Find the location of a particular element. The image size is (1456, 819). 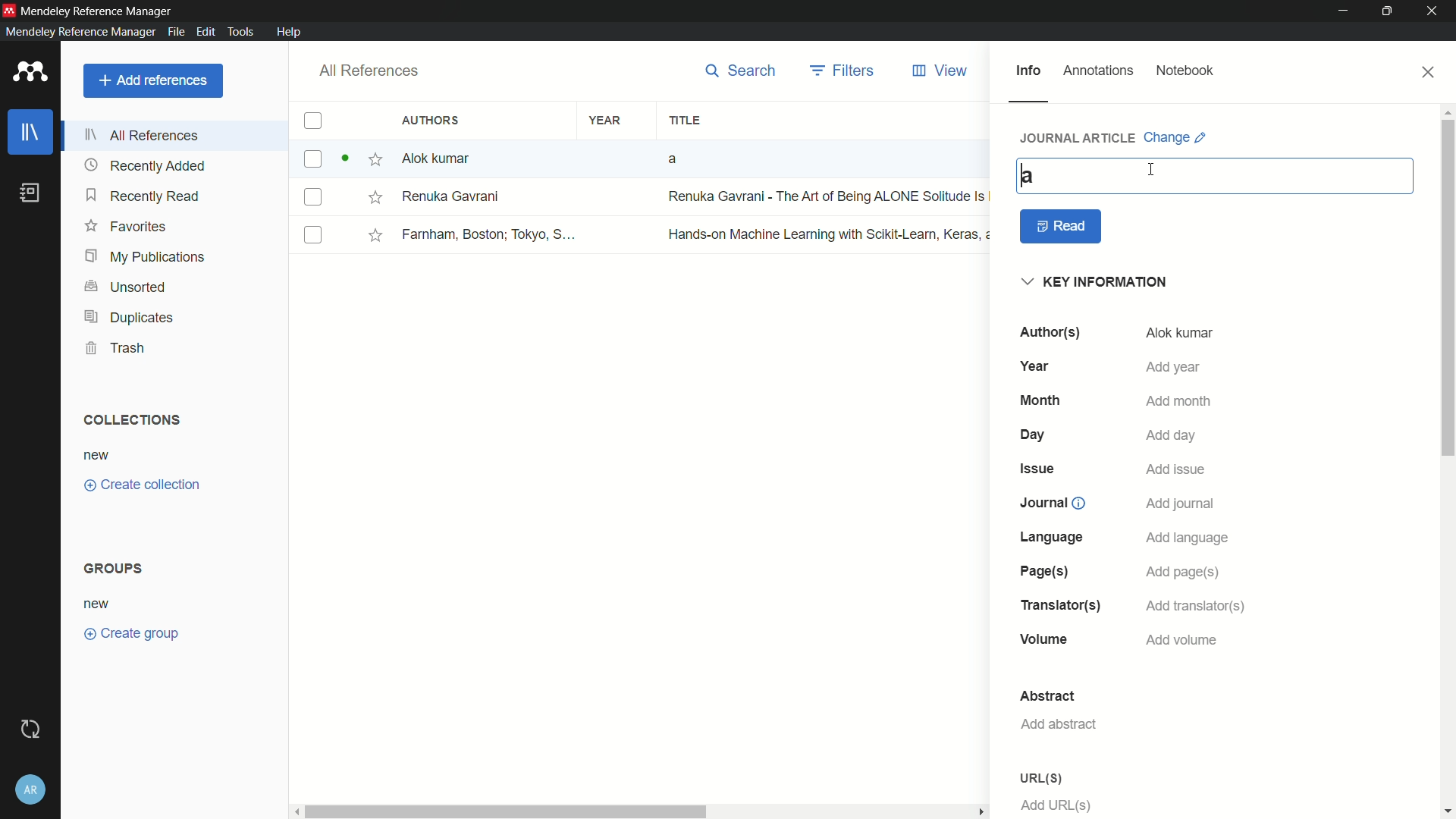

maximize is located at coordinates (1390, 11).